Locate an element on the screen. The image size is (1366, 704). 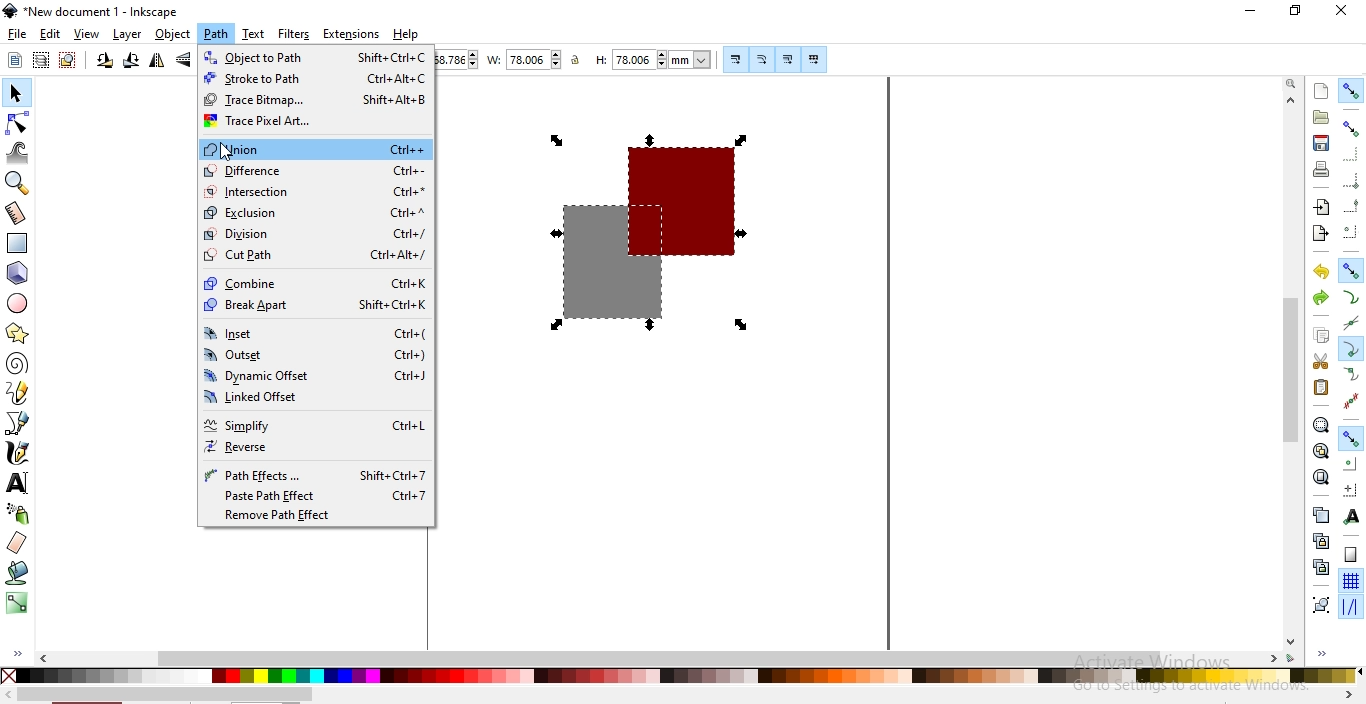
path effects is located at coordinates (315, 473).